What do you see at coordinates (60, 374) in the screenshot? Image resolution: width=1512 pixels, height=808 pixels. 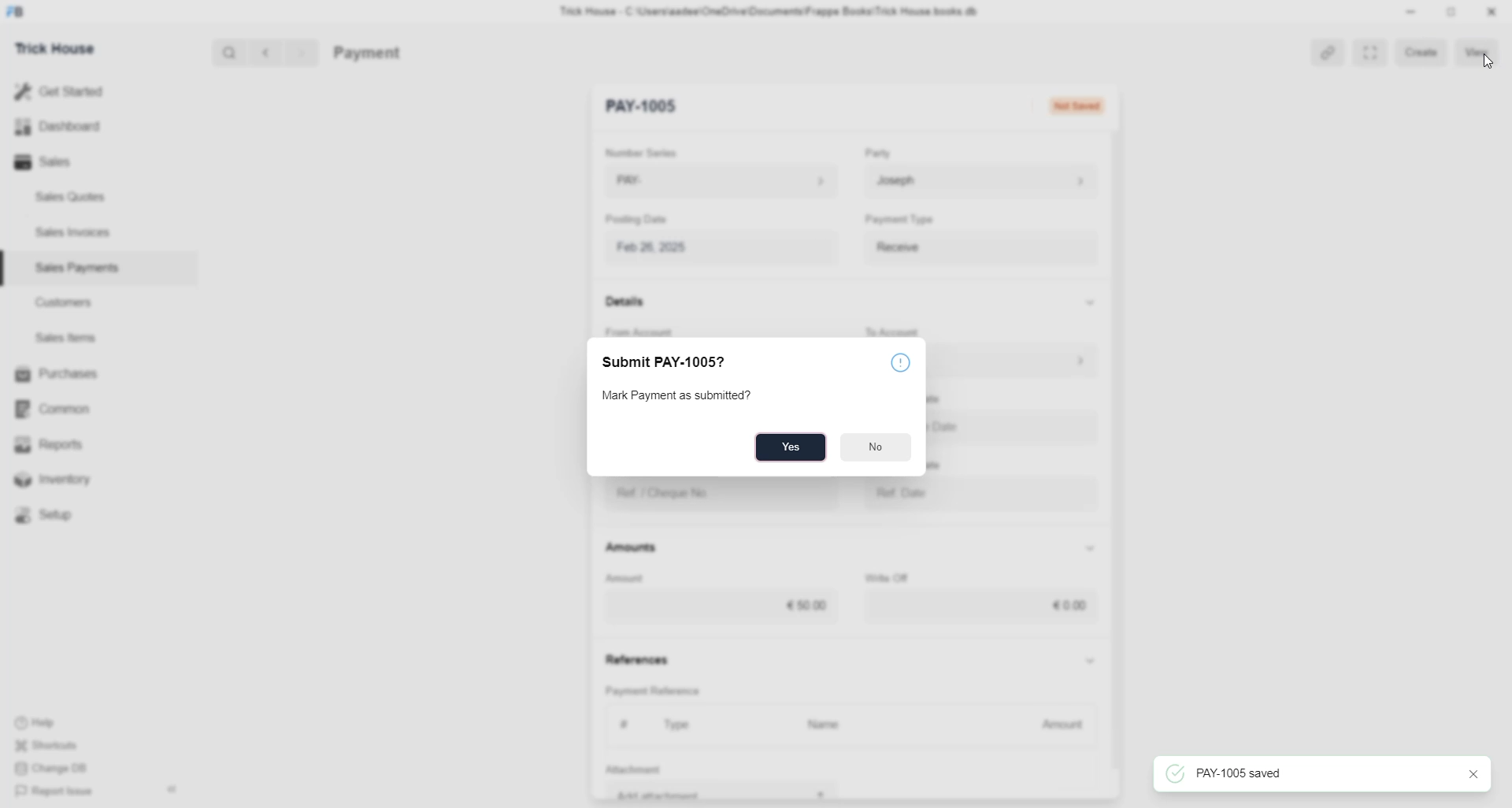 I see `Purchases` at bounding box center [60, 374].